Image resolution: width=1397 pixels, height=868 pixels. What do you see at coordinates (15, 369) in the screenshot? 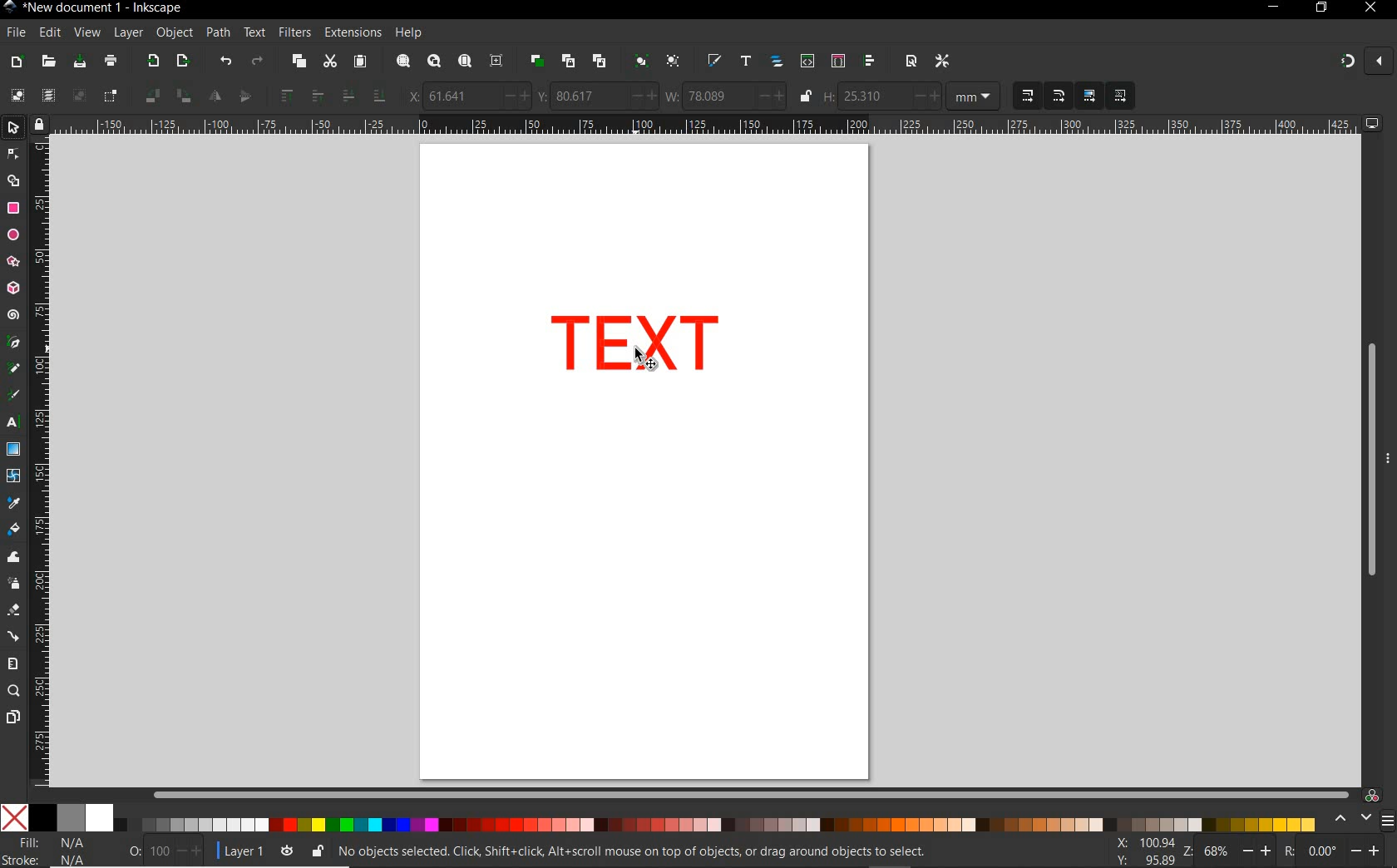
I see `pencil tool` at bounding box center [15, 369].